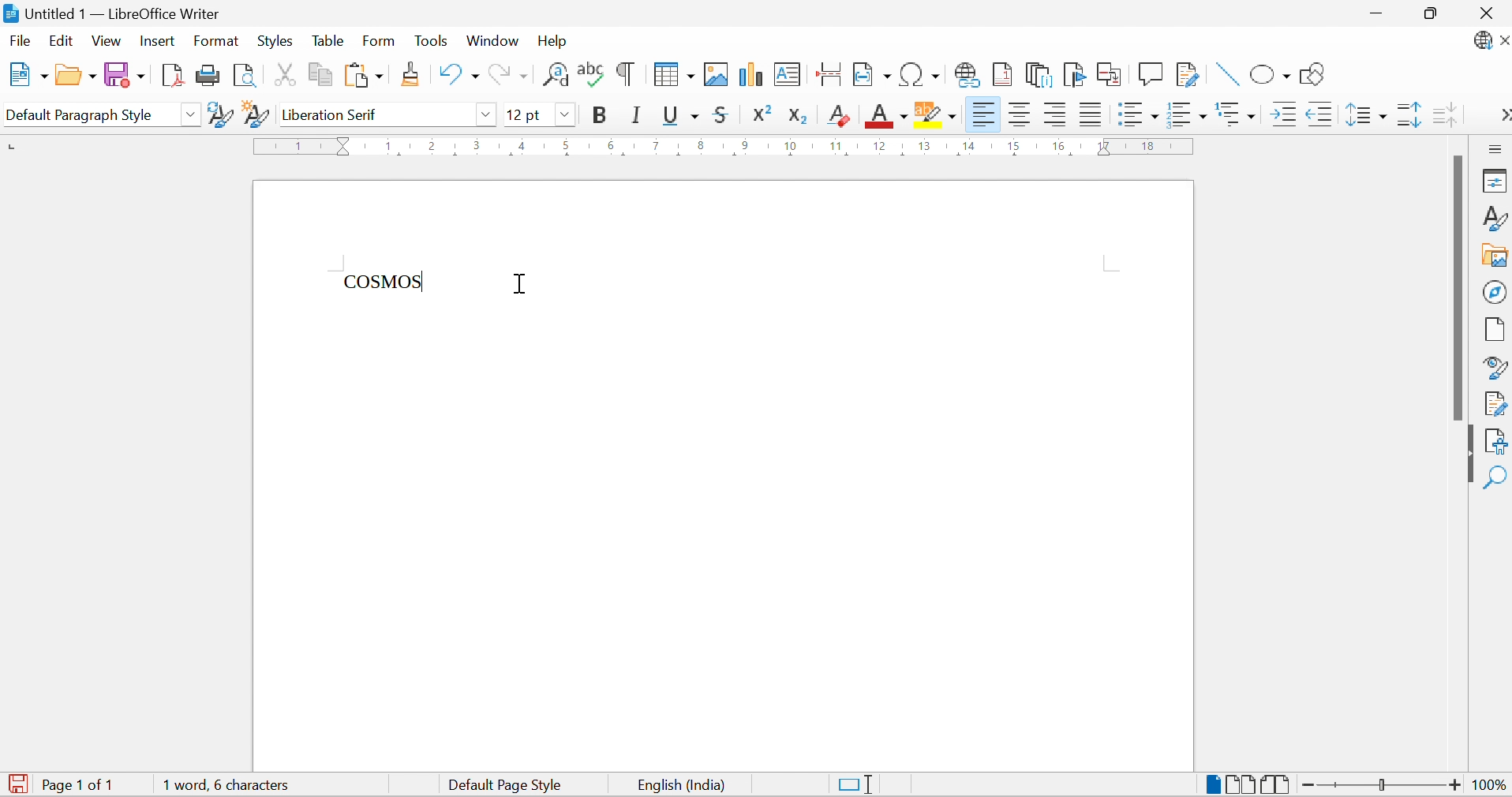 The image size is (1512, 797). What do you see at coordinates (80, 114) in the screenshot?
I see `Default Paragraph Style` at bounding box center [80, 114].